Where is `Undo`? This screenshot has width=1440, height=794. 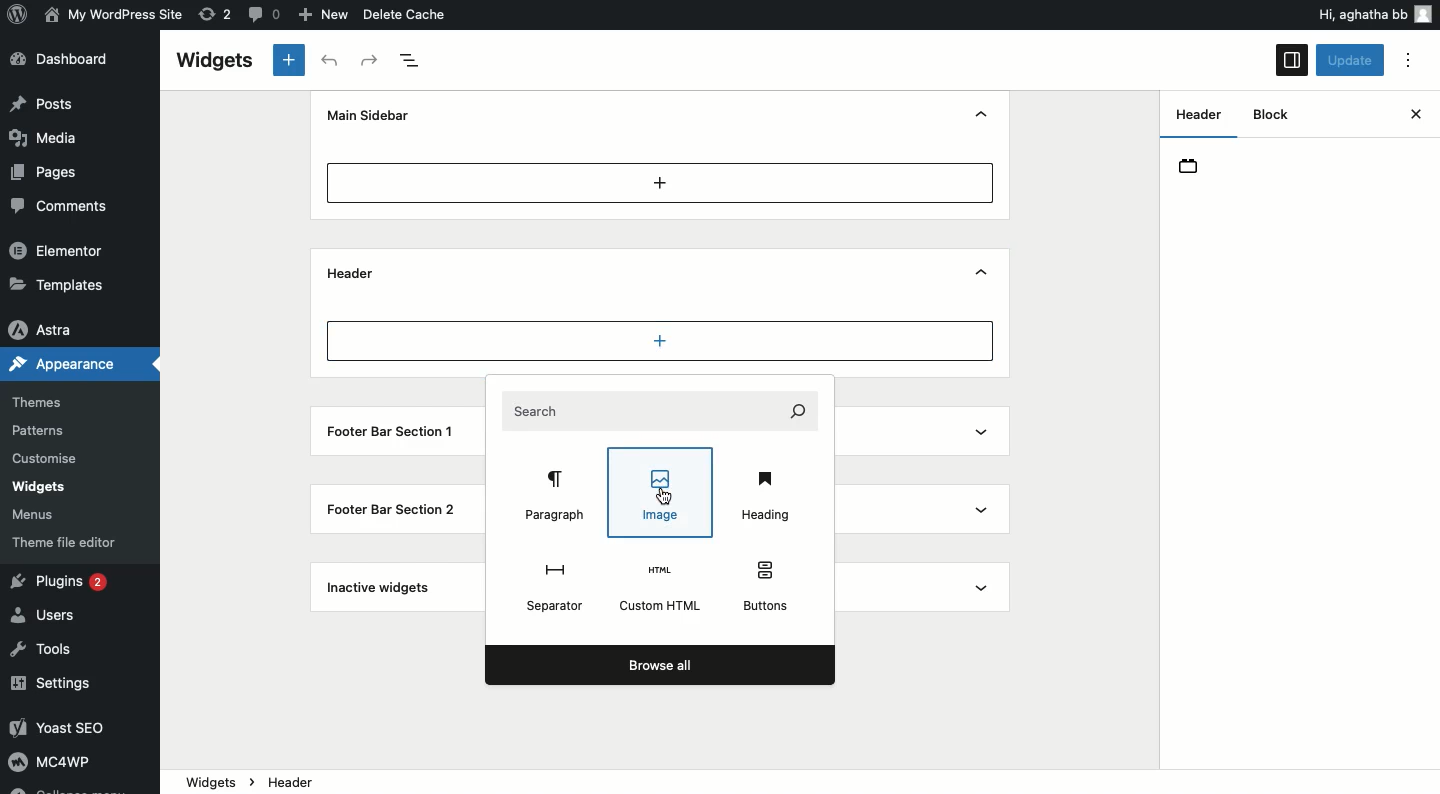
Undo is located at coordinates (333, 61).